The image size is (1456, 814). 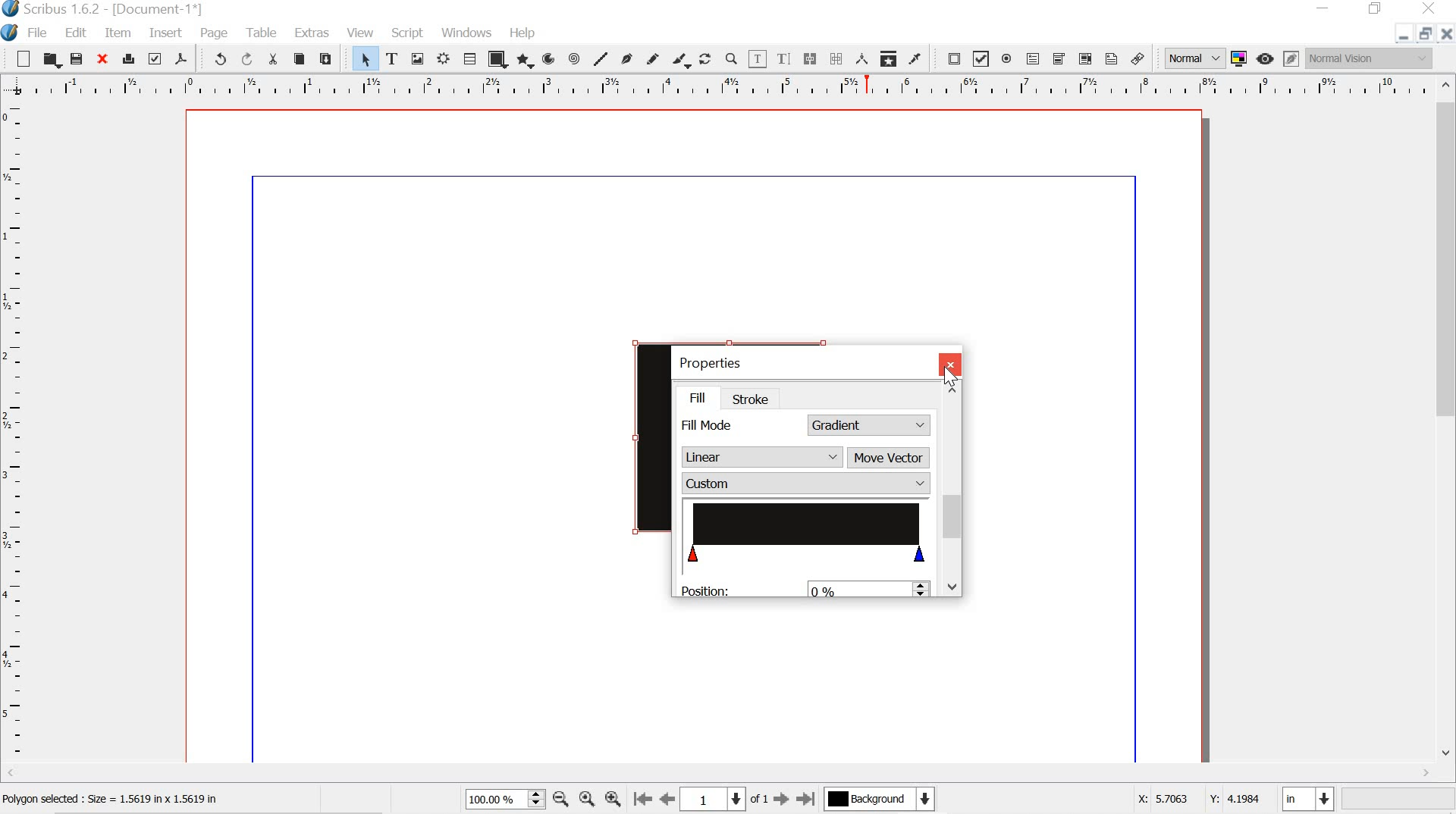 I want to click on arc, so click(x=550, y=58).